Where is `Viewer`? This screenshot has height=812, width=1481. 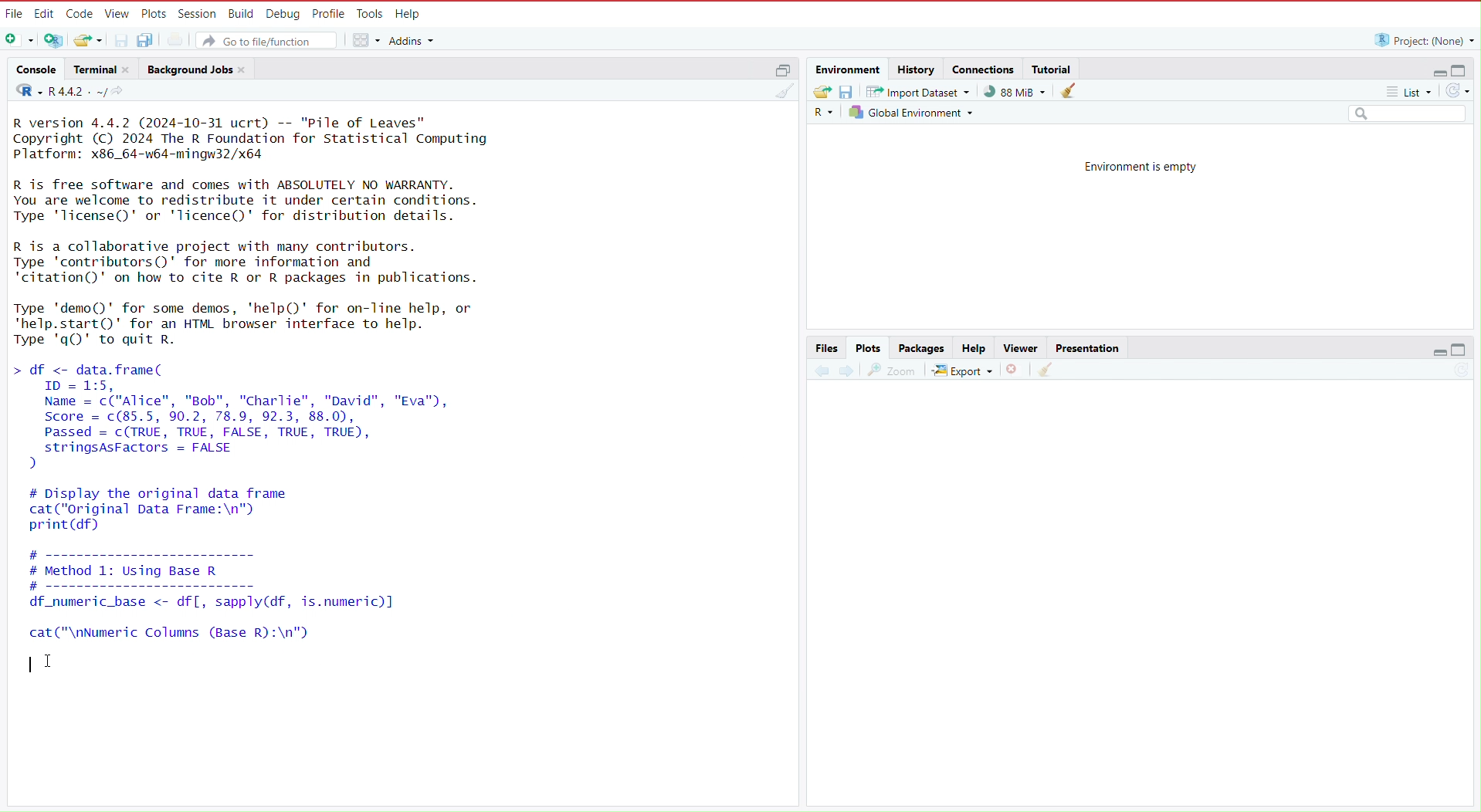 Viewer is located at coordinates (1018, 347).